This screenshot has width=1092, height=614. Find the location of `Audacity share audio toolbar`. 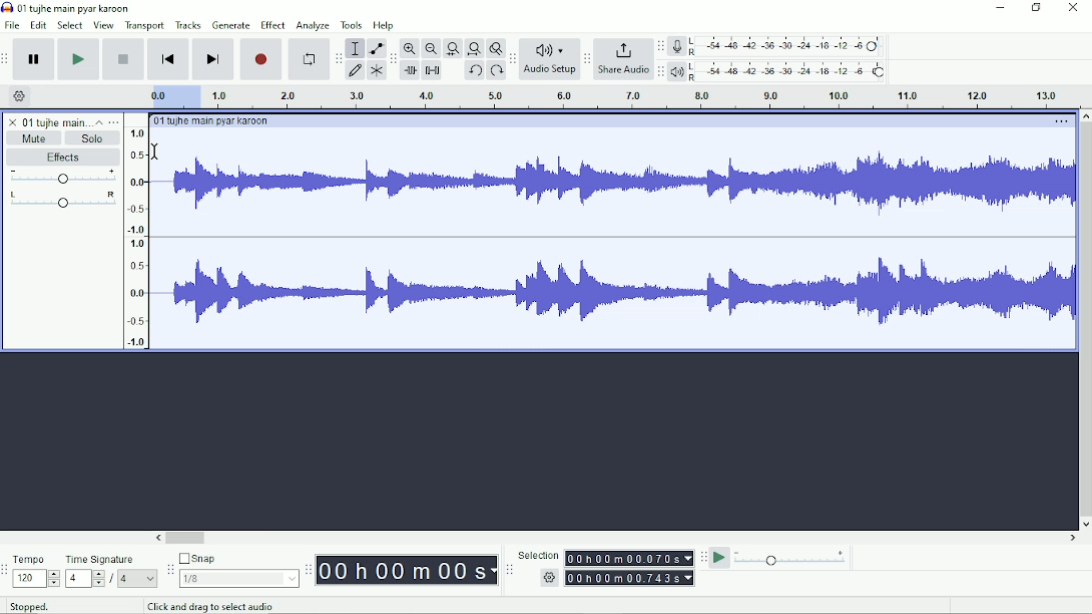

Audacity share audio toolbar is located at coordinates (587, 60).